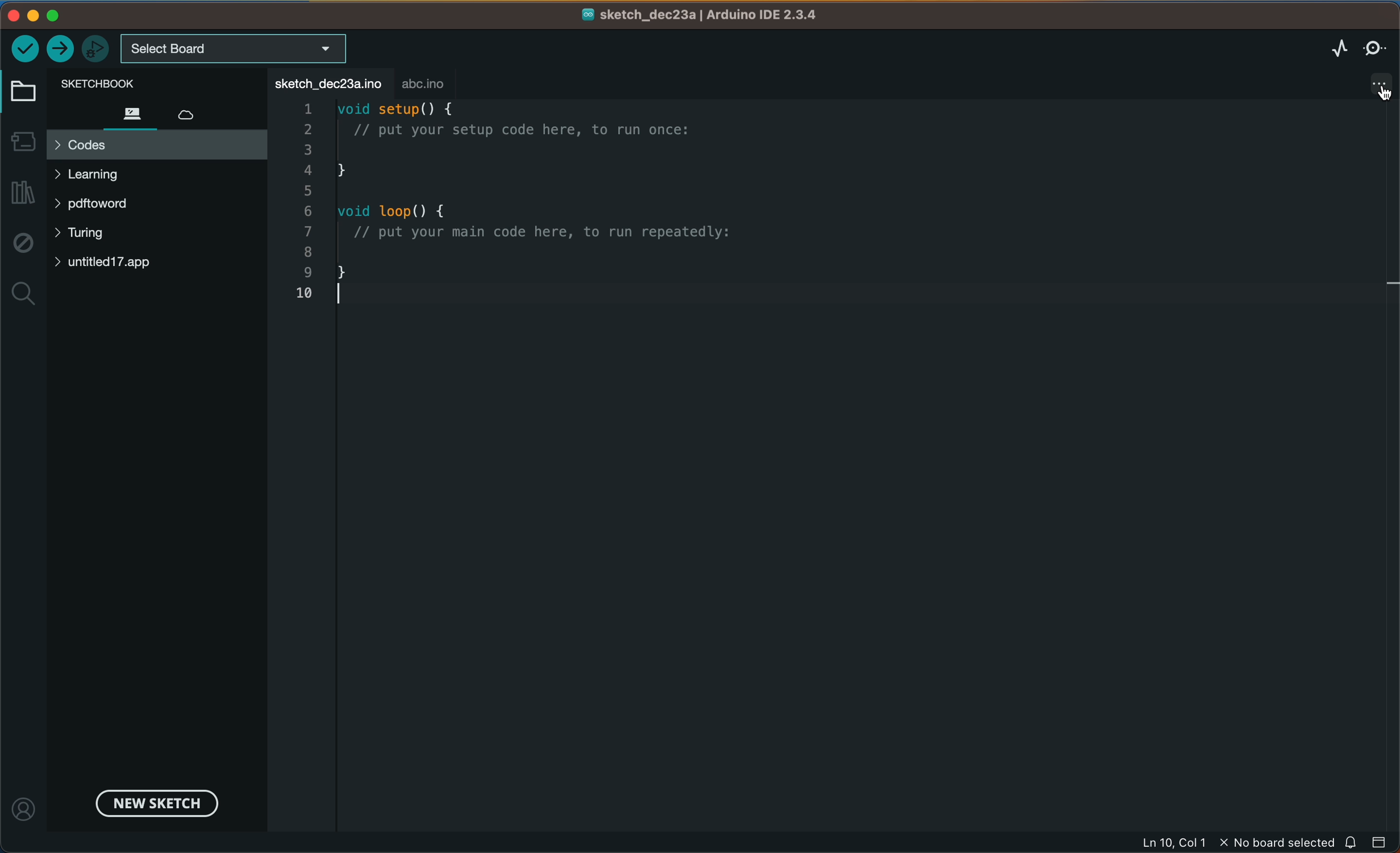  I want to click on file name, so click(691, 15).